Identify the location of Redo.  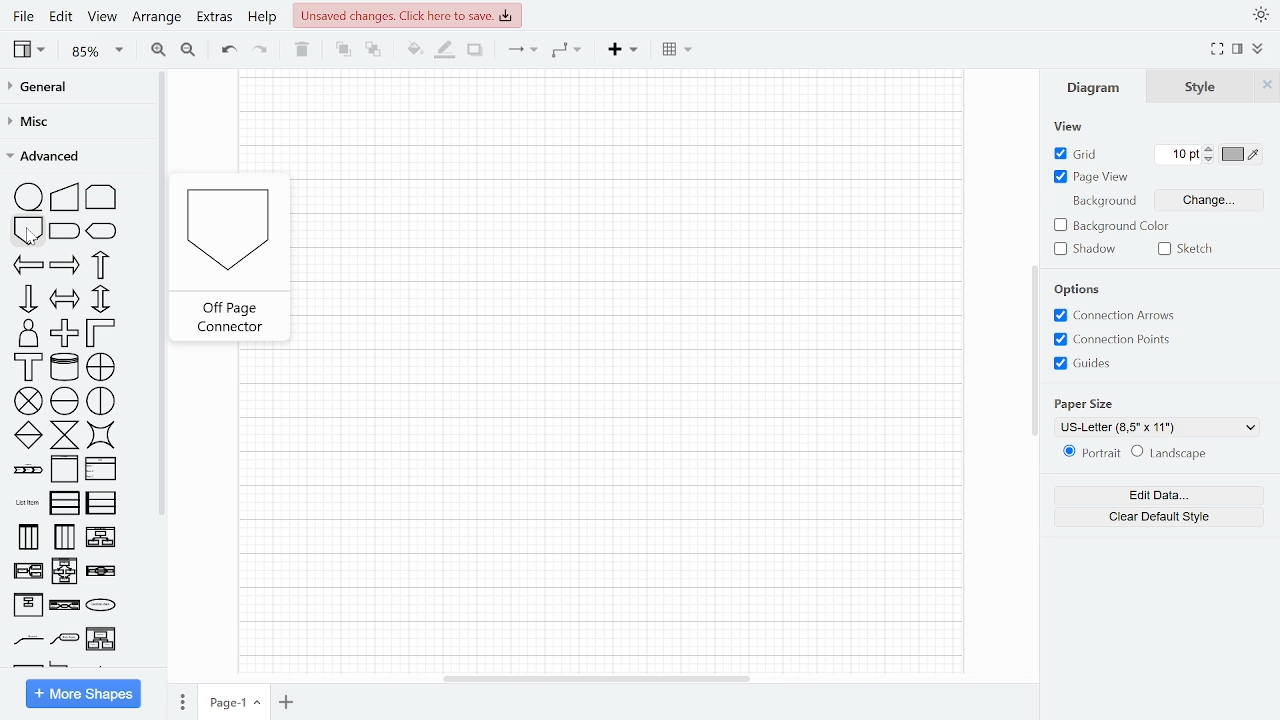
(259, 52).